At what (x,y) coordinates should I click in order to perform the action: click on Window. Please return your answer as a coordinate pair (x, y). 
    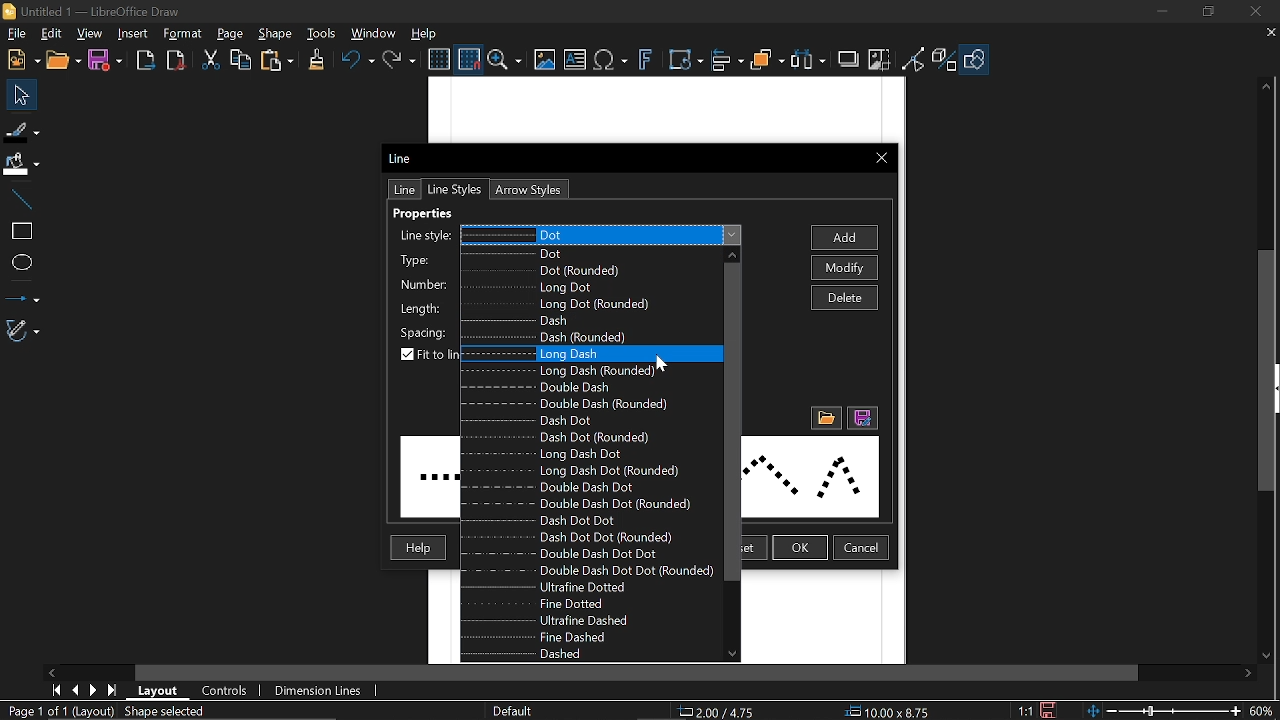
    Looking at the image, I should click on (374, 32).